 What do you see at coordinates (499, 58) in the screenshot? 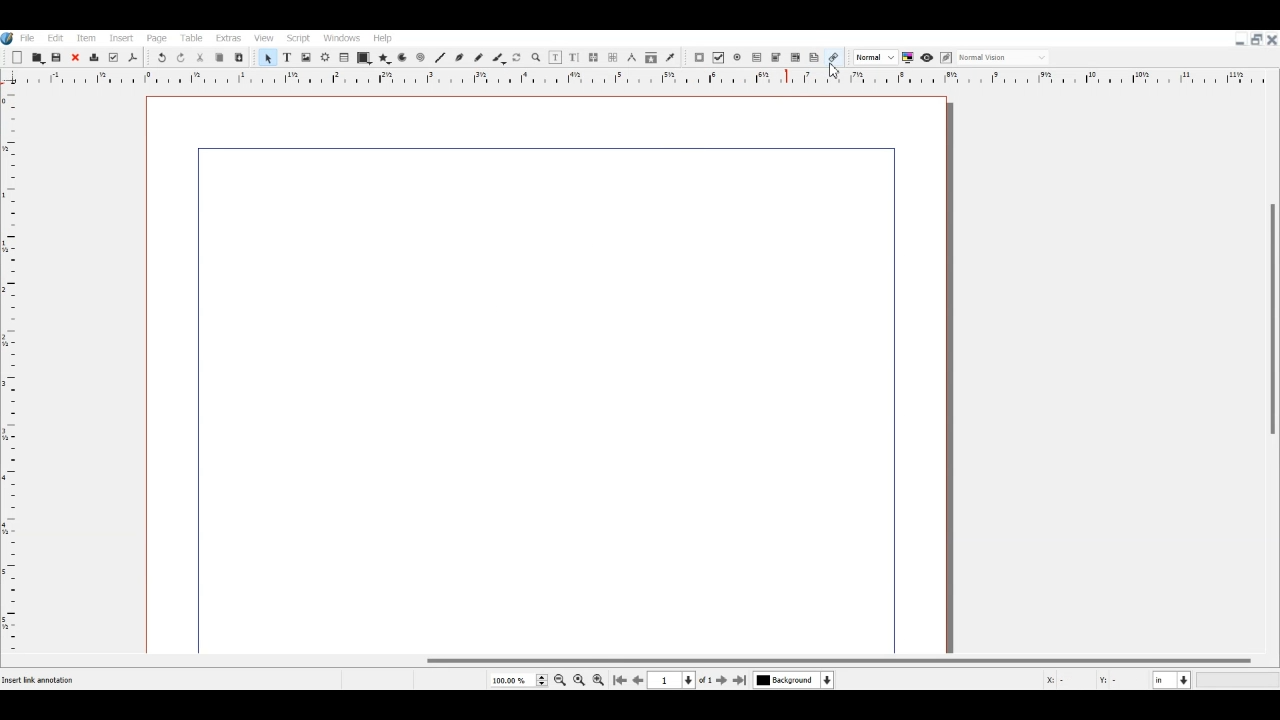
I see `Calligraphic line` at bounding box center [499, 58].